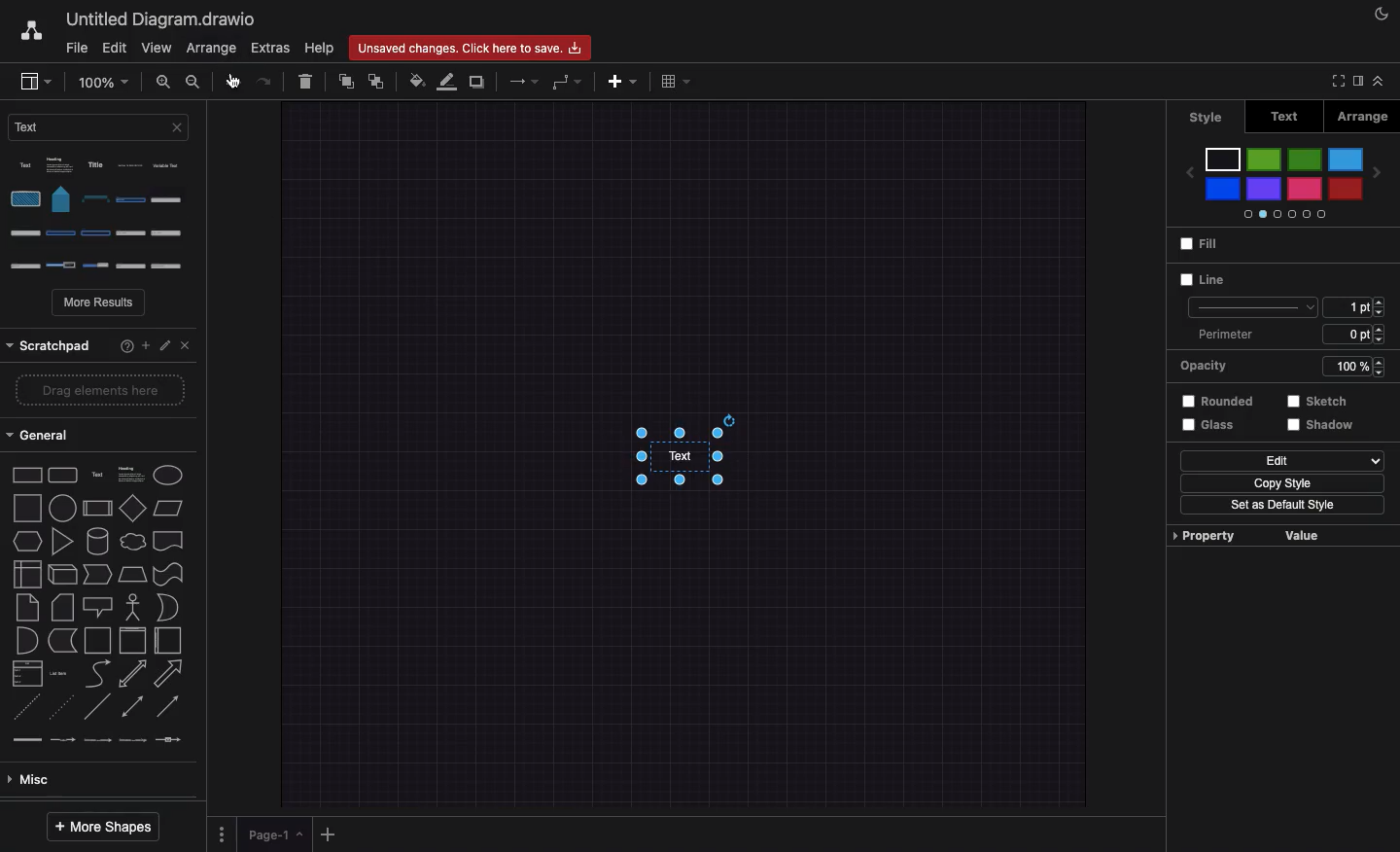 This screenshot has height=852, width=1400. Describe the element at coordinates (478, 83) in the screenshot. I see `Duplicate` at that location.